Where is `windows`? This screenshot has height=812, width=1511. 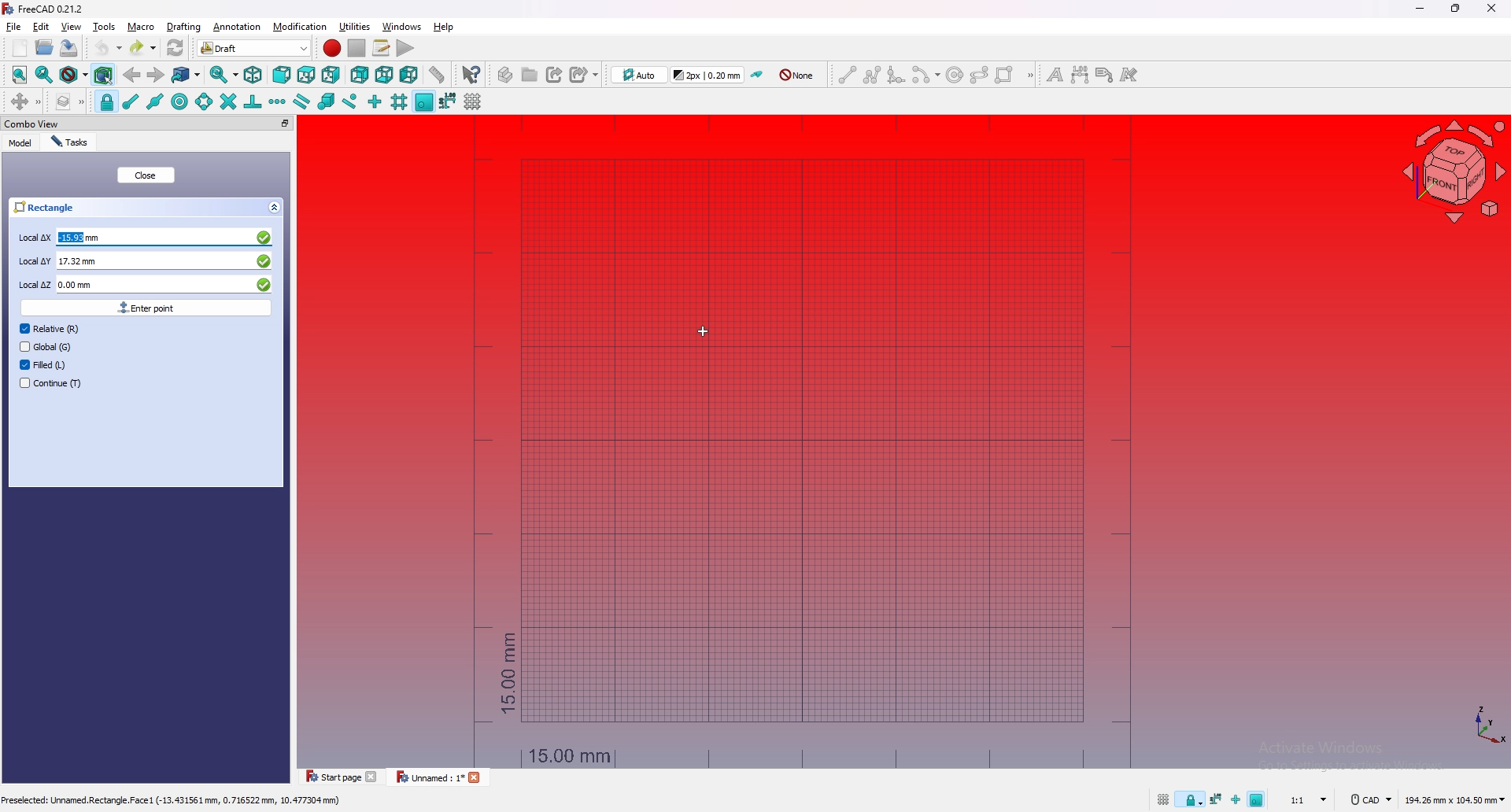
windows is located at coordinates (401, 27).